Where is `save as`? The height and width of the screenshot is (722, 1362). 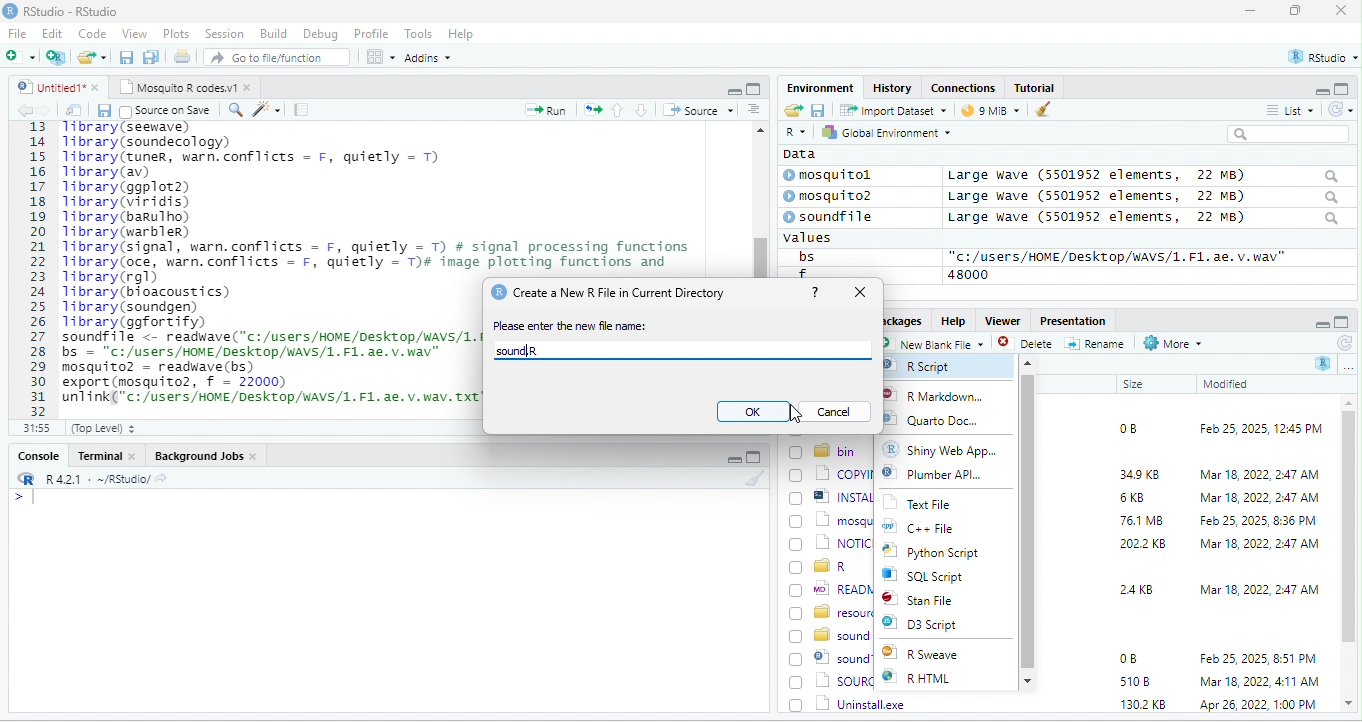
save as is located at coordinates (153, 58).